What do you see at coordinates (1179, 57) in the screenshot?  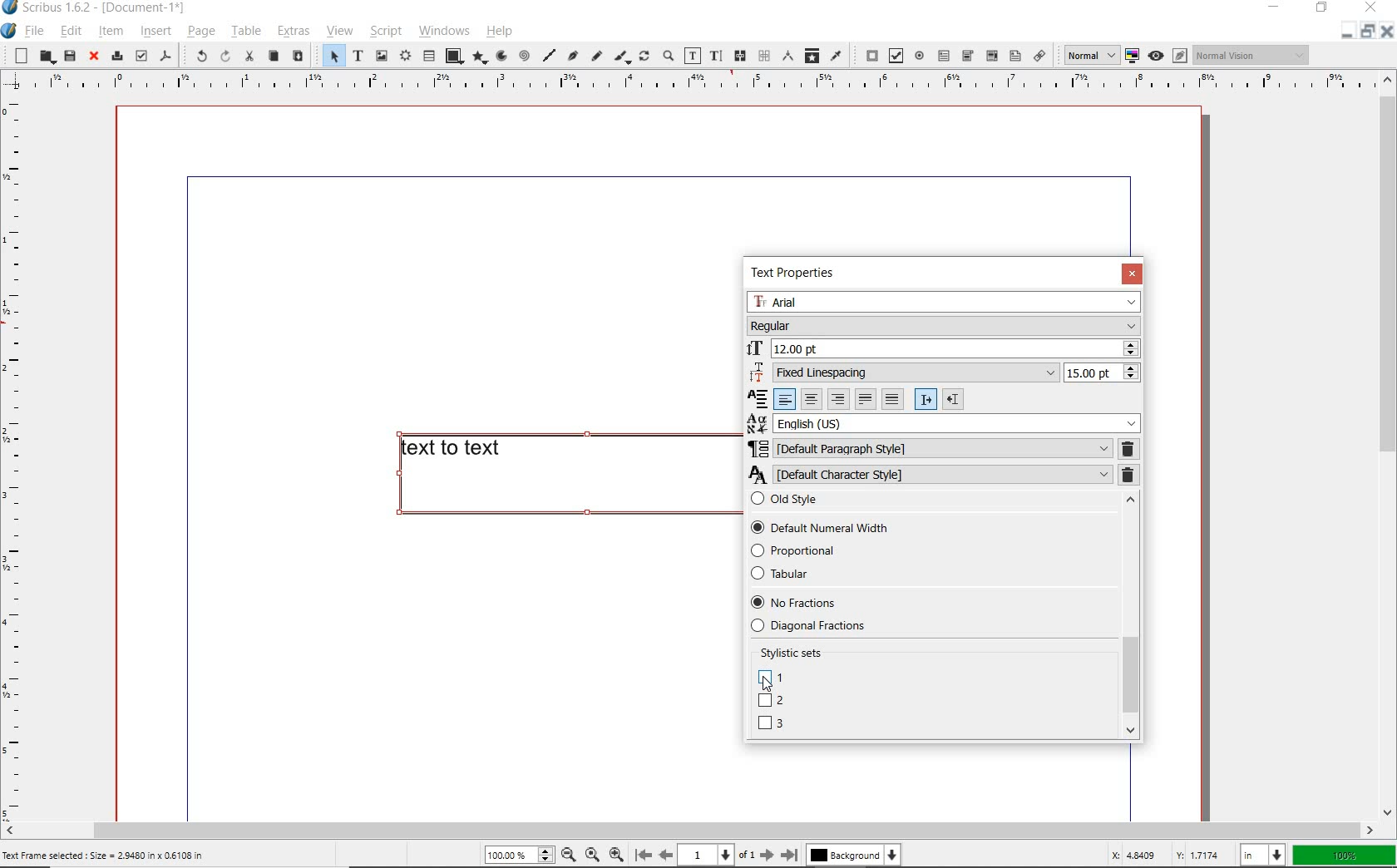 I see `Edit in preview mode` at bounding box center [1179, 57].